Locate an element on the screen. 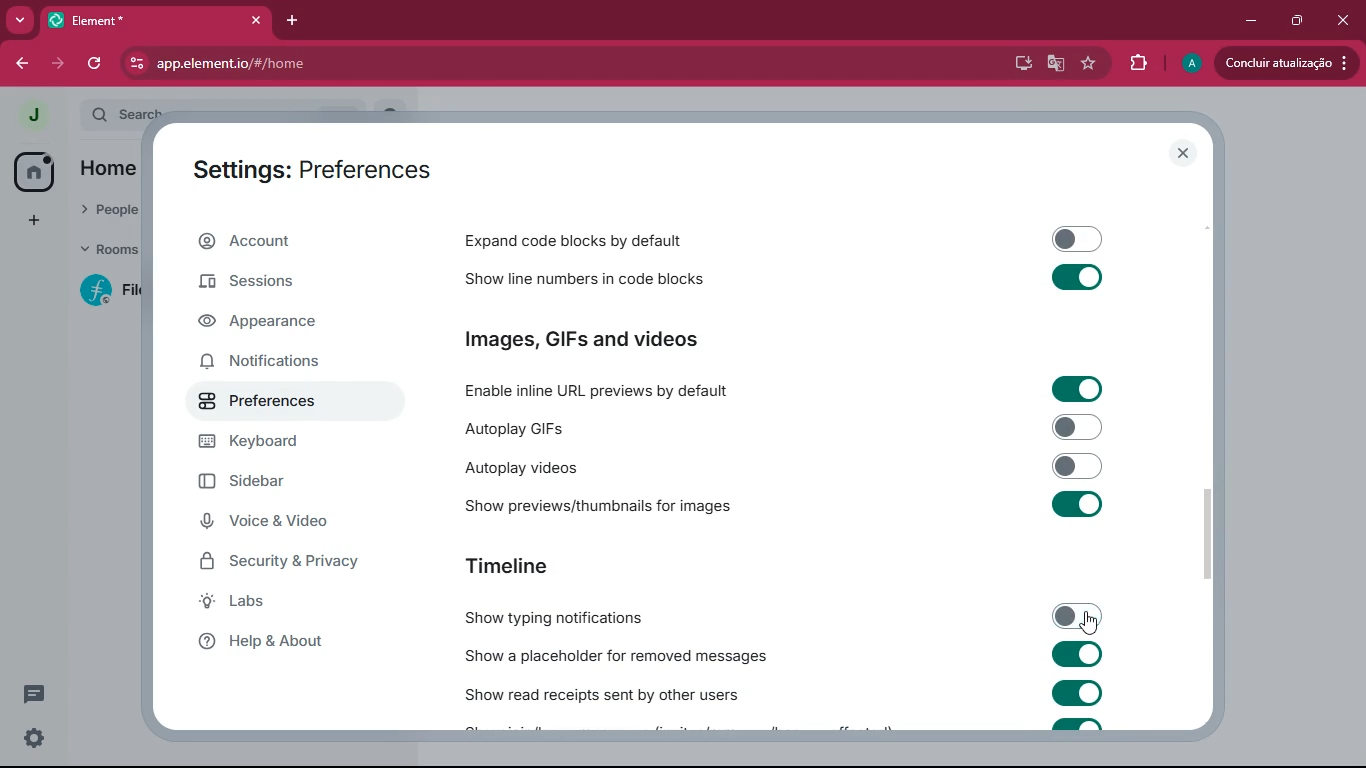 Image resolution: width=1366 pixels, height=768 pixels. images, GIFs and videos is located at coordinates (630, 339).